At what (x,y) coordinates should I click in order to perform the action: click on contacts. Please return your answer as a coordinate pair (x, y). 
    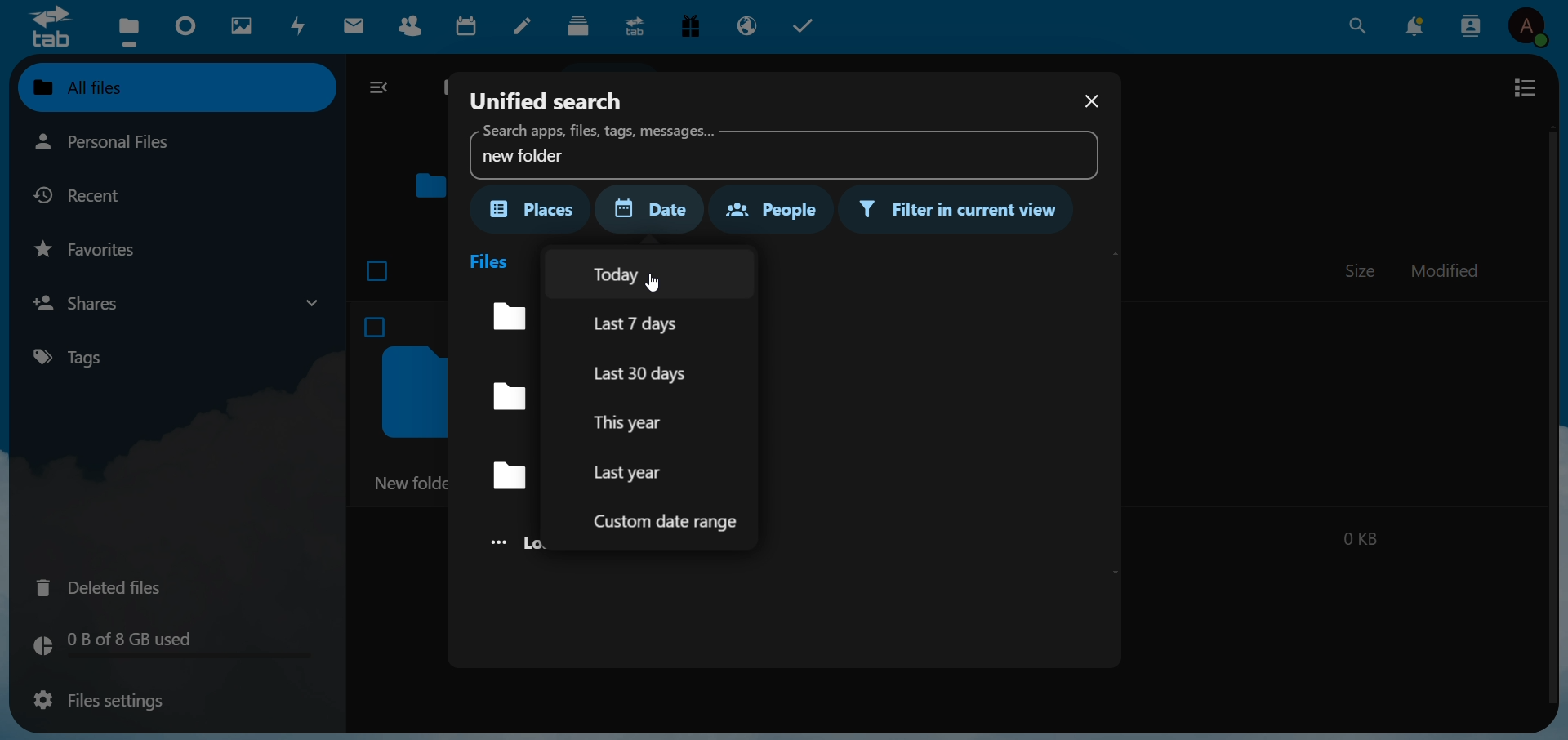
    Looking at the image, I should click on (1472, 25).